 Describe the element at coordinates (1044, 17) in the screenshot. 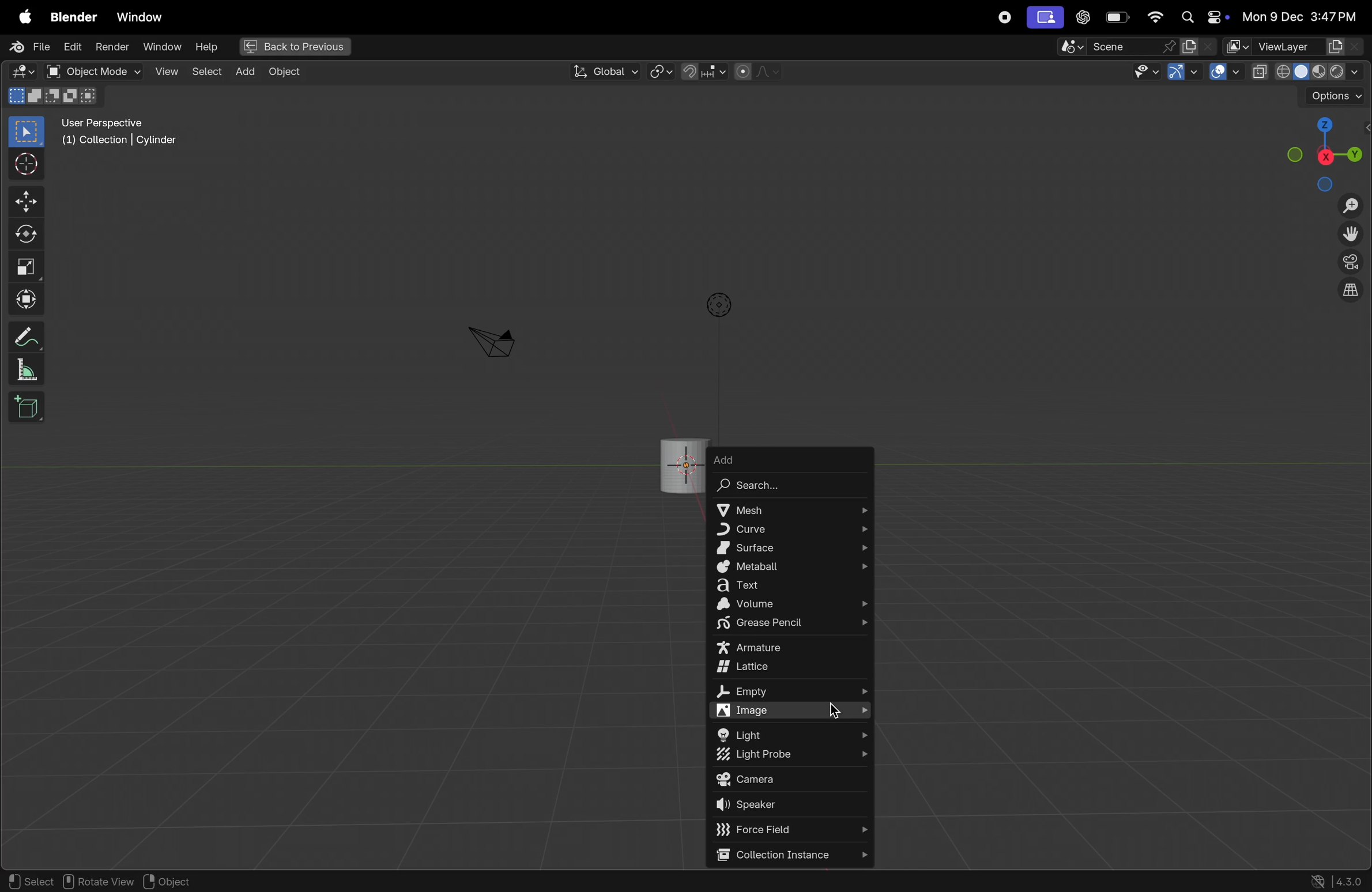

I see `screenui` at that location.